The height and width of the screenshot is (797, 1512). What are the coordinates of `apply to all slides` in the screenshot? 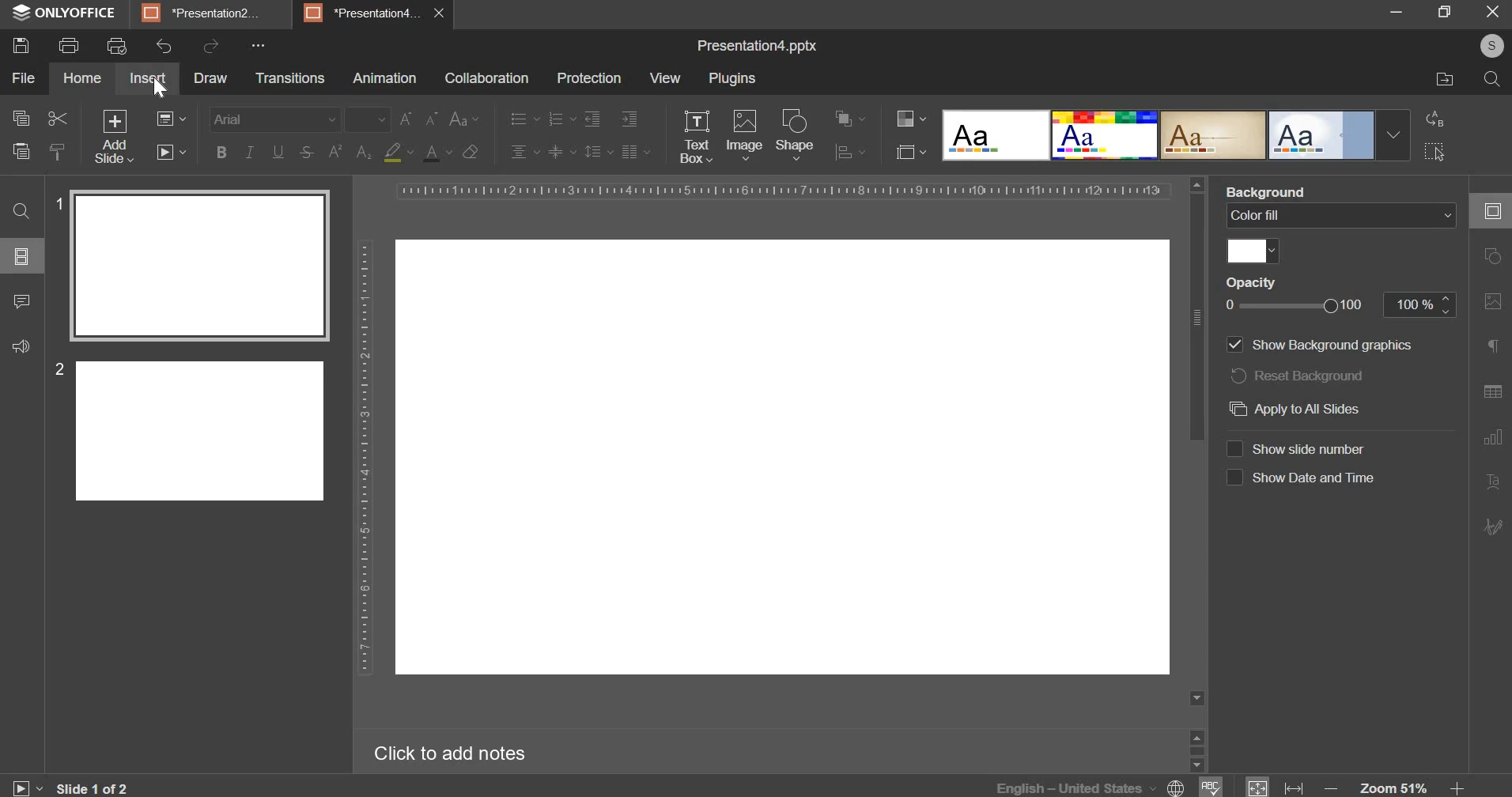 It's located at (1292, 408).